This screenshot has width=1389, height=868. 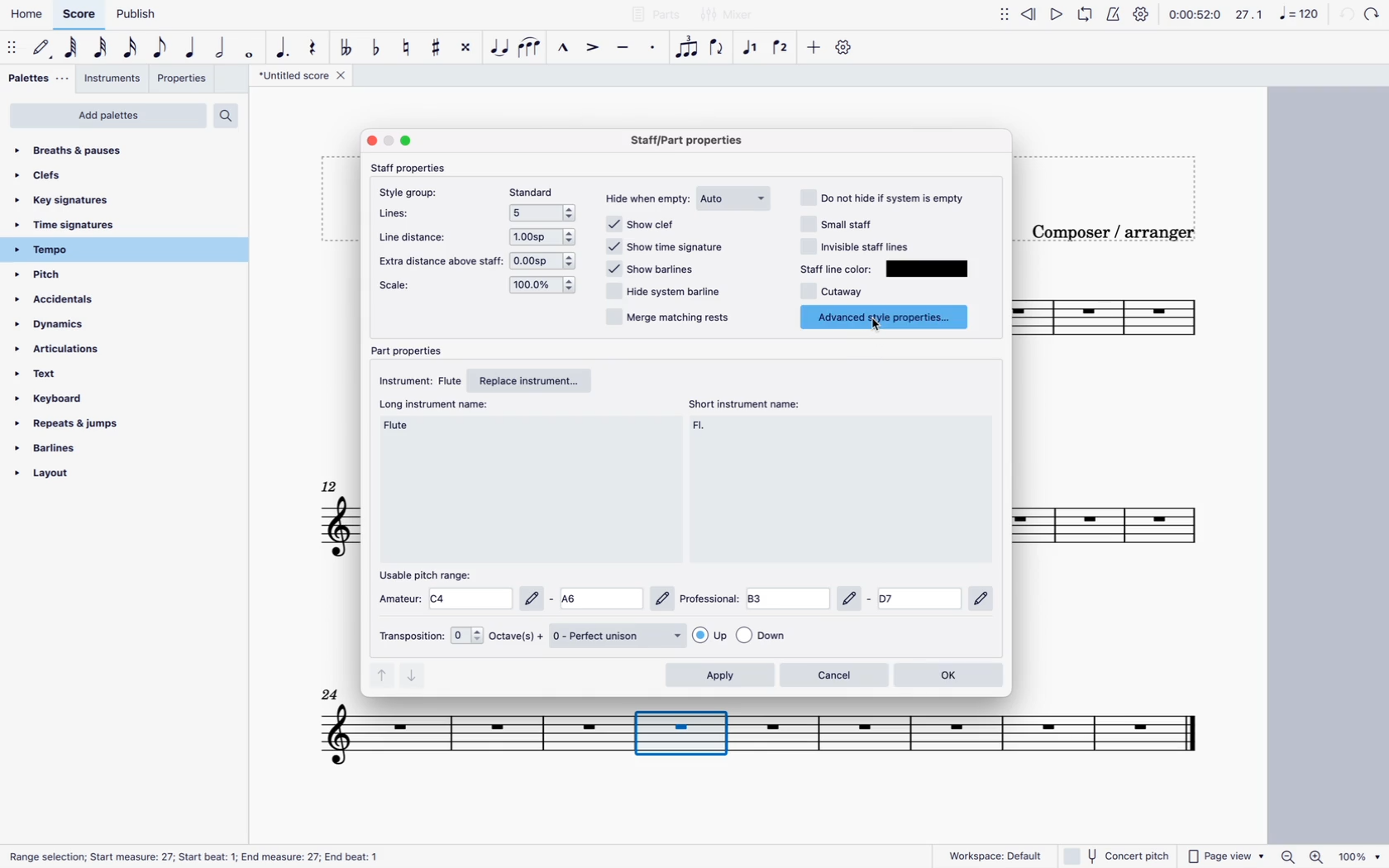 I want to click on zoom, so click(x=1329, y=855).